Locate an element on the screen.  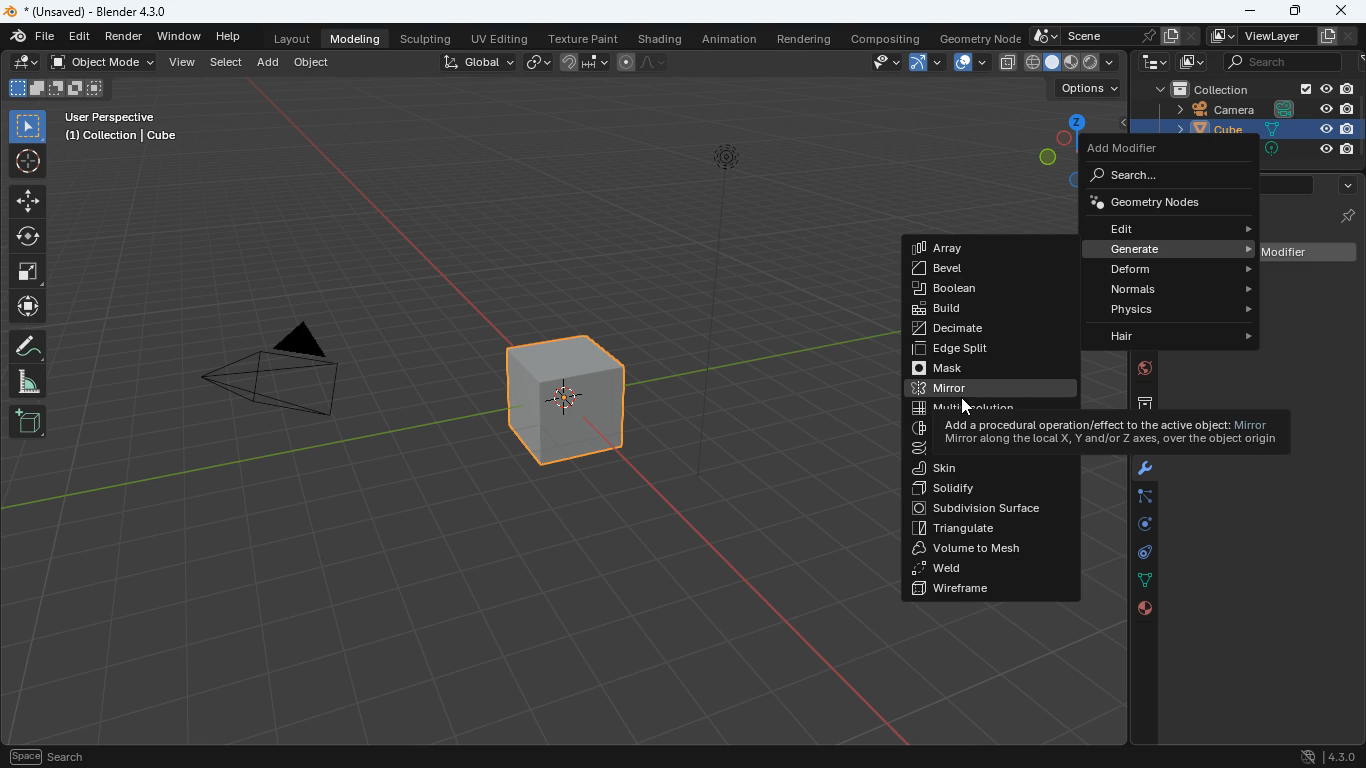
 is located at coordinates (922, 409).